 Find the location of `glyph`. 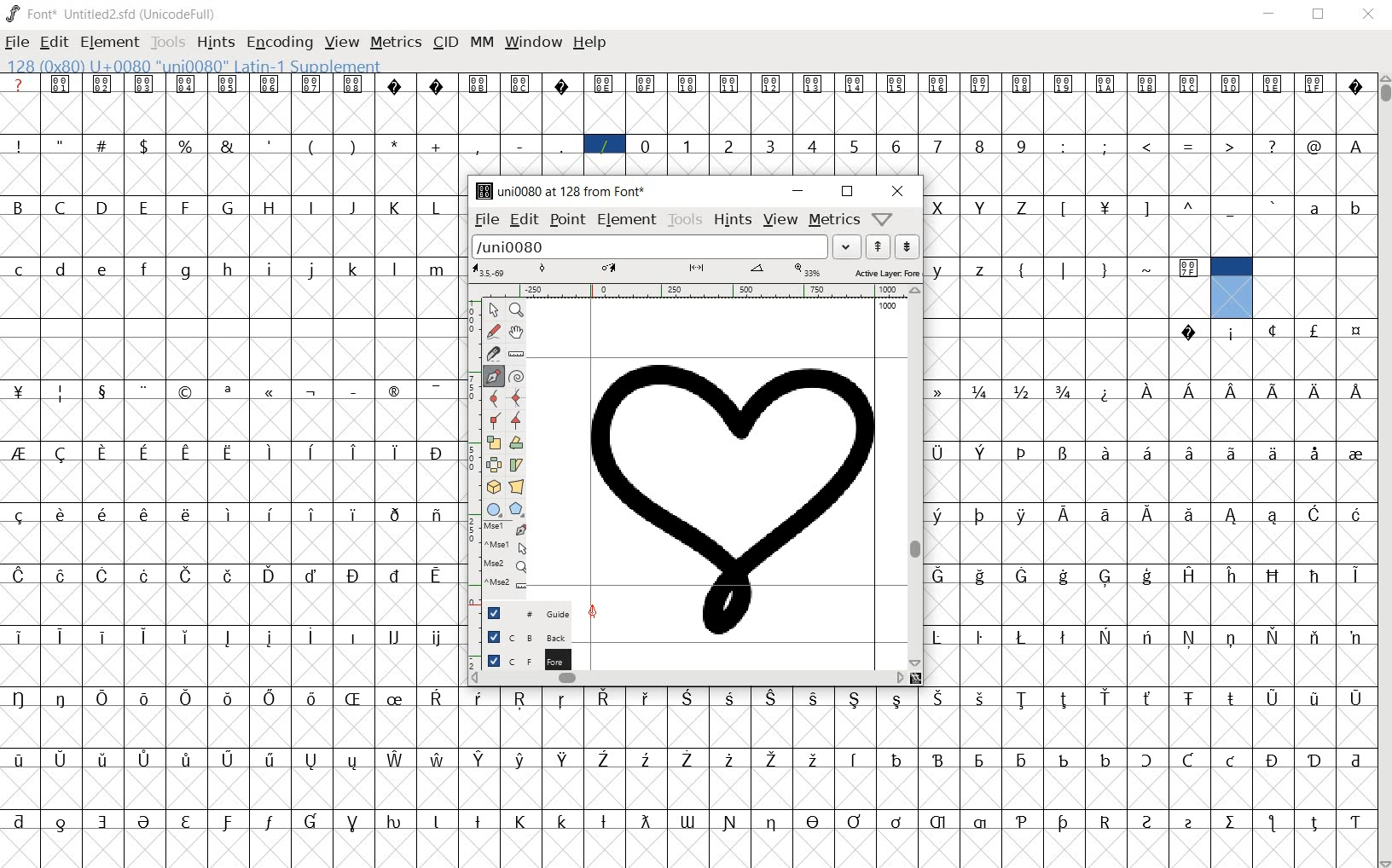

glyph is located at coordinates (101, 144).